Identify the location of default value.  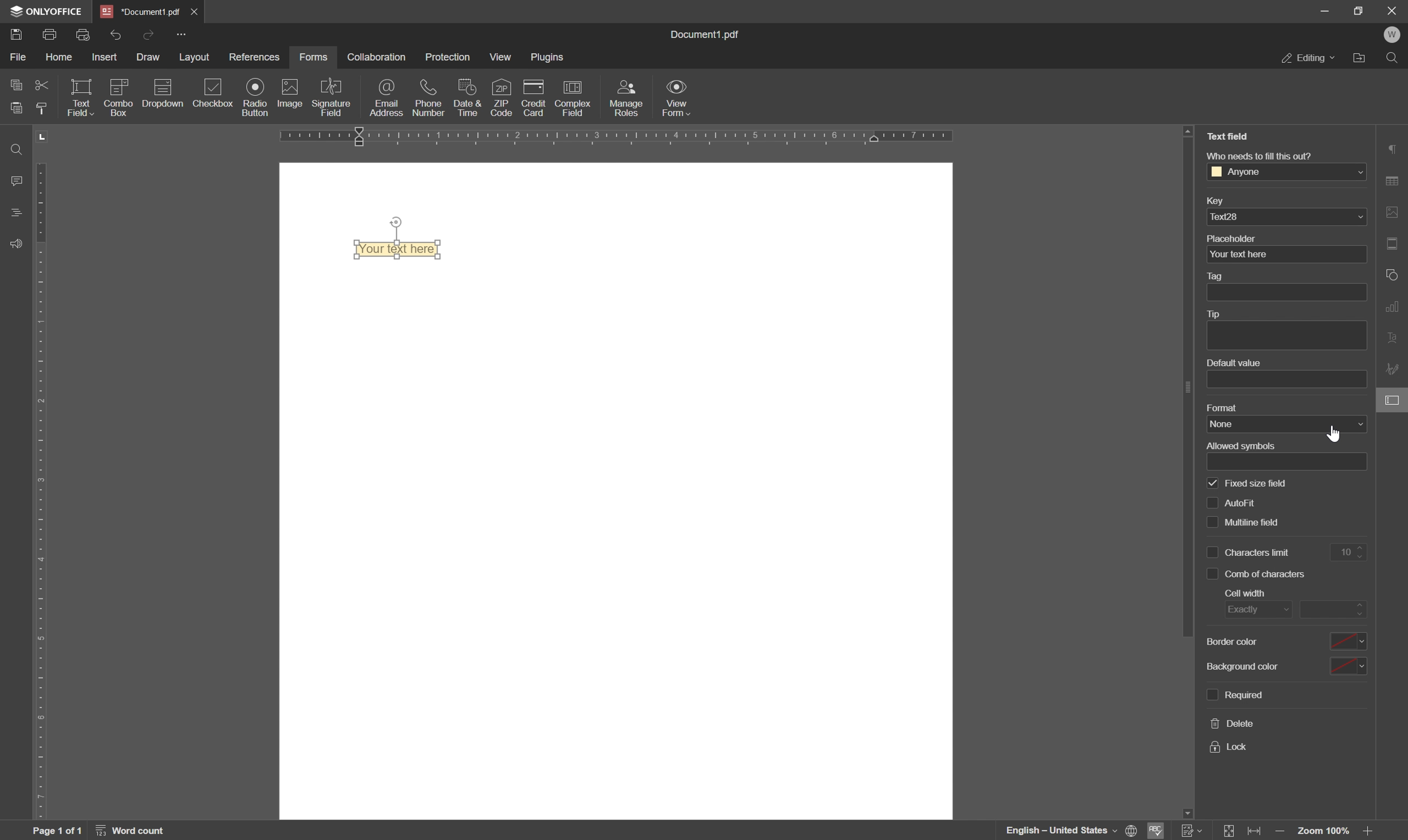
(1236, 362).